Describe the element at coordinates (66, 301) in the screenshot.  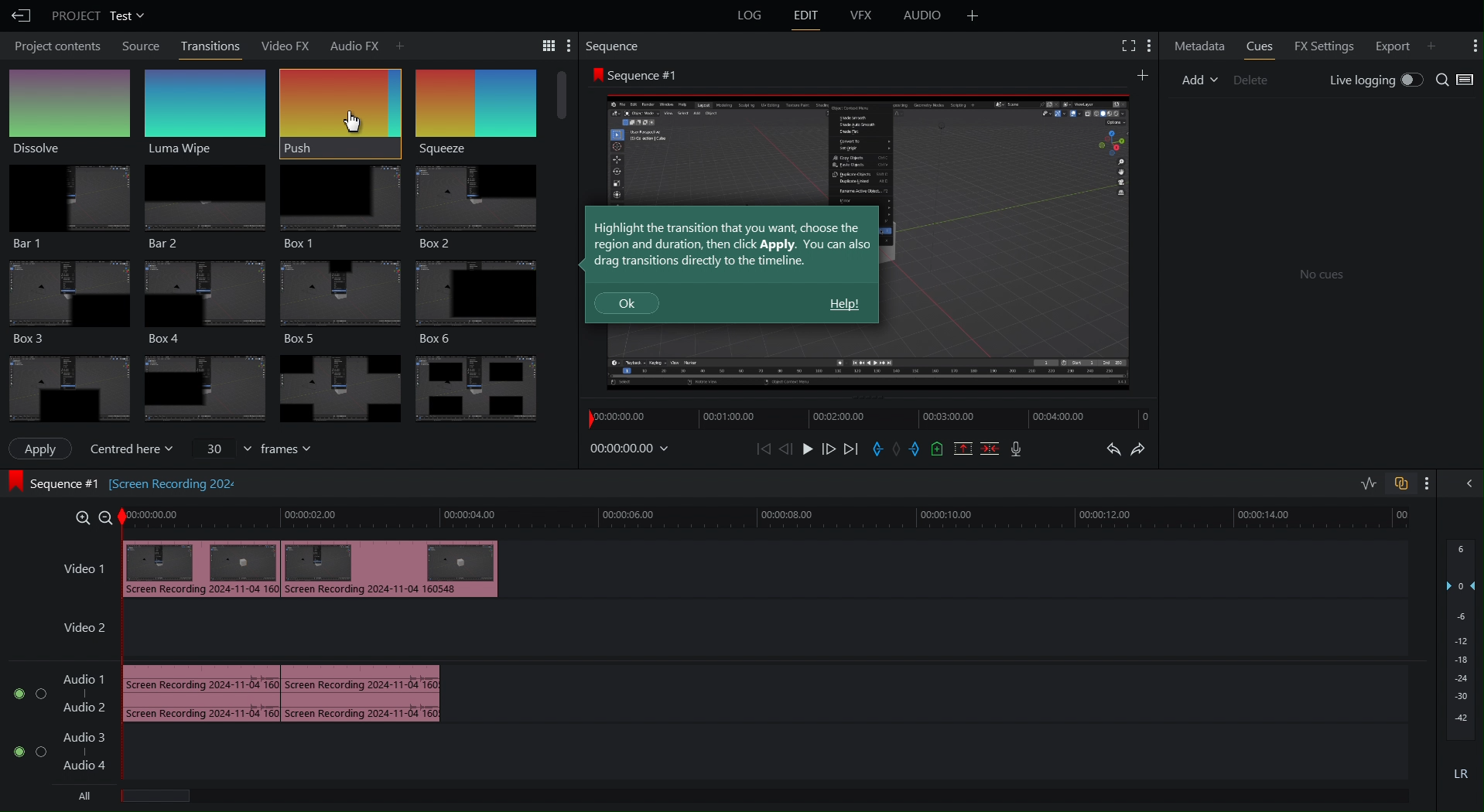
I see `Box 3` at that location.